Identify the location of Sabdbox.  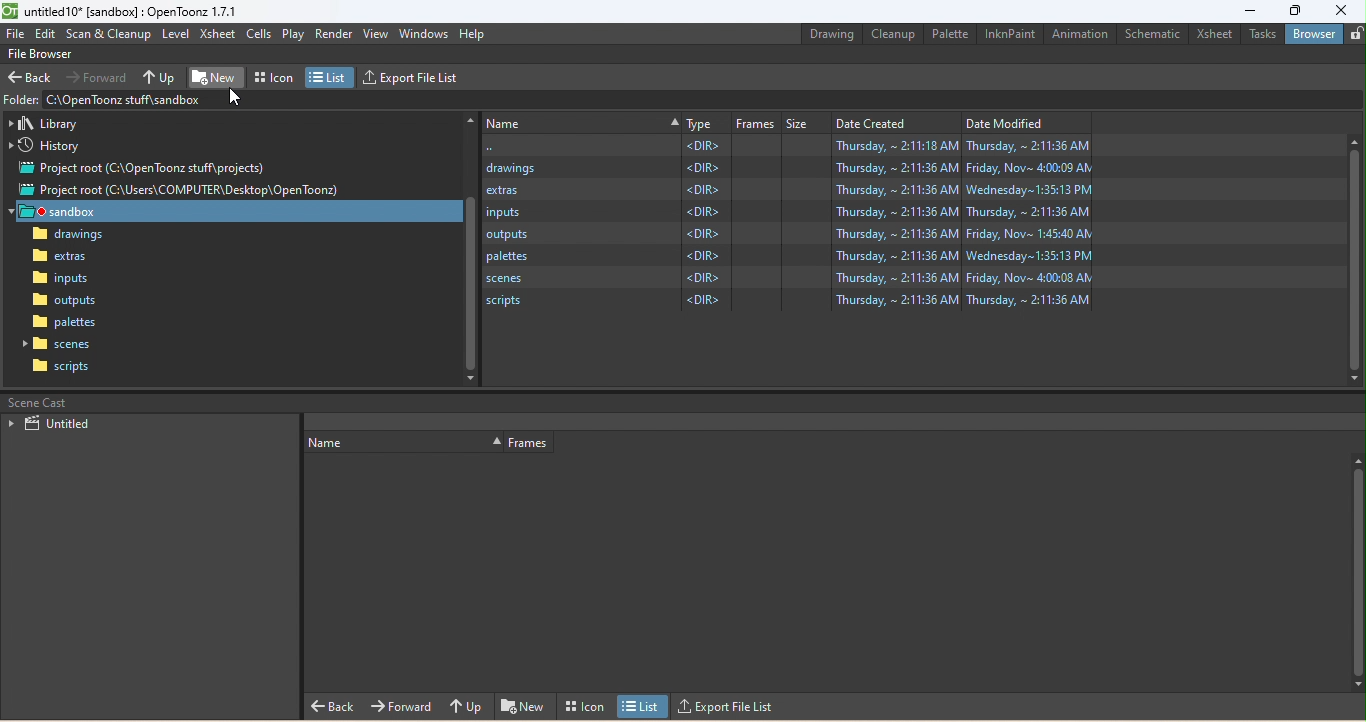
(239, 211).